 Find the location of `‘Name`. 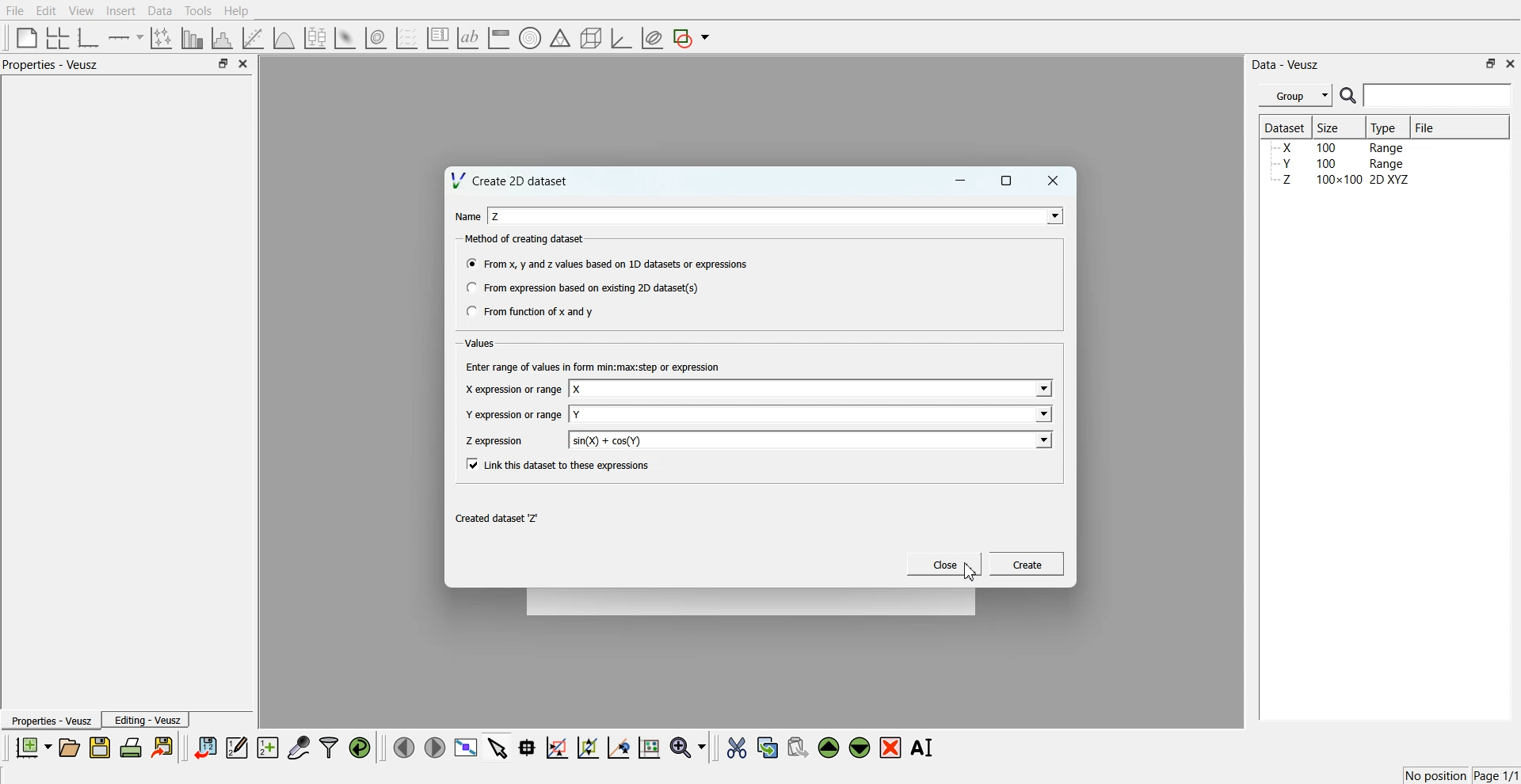

‘Name is located at coordinates (466, 215).